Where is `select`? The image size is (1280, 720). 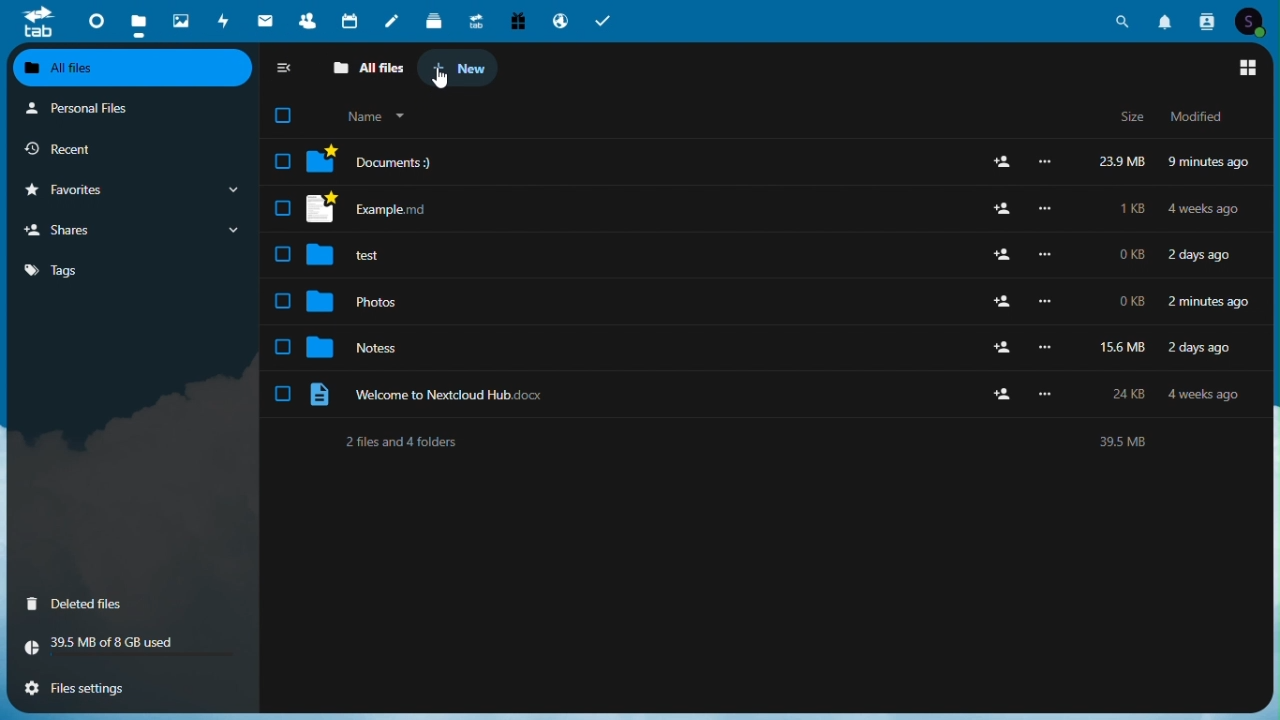 select is located at coordinates (281, 208).